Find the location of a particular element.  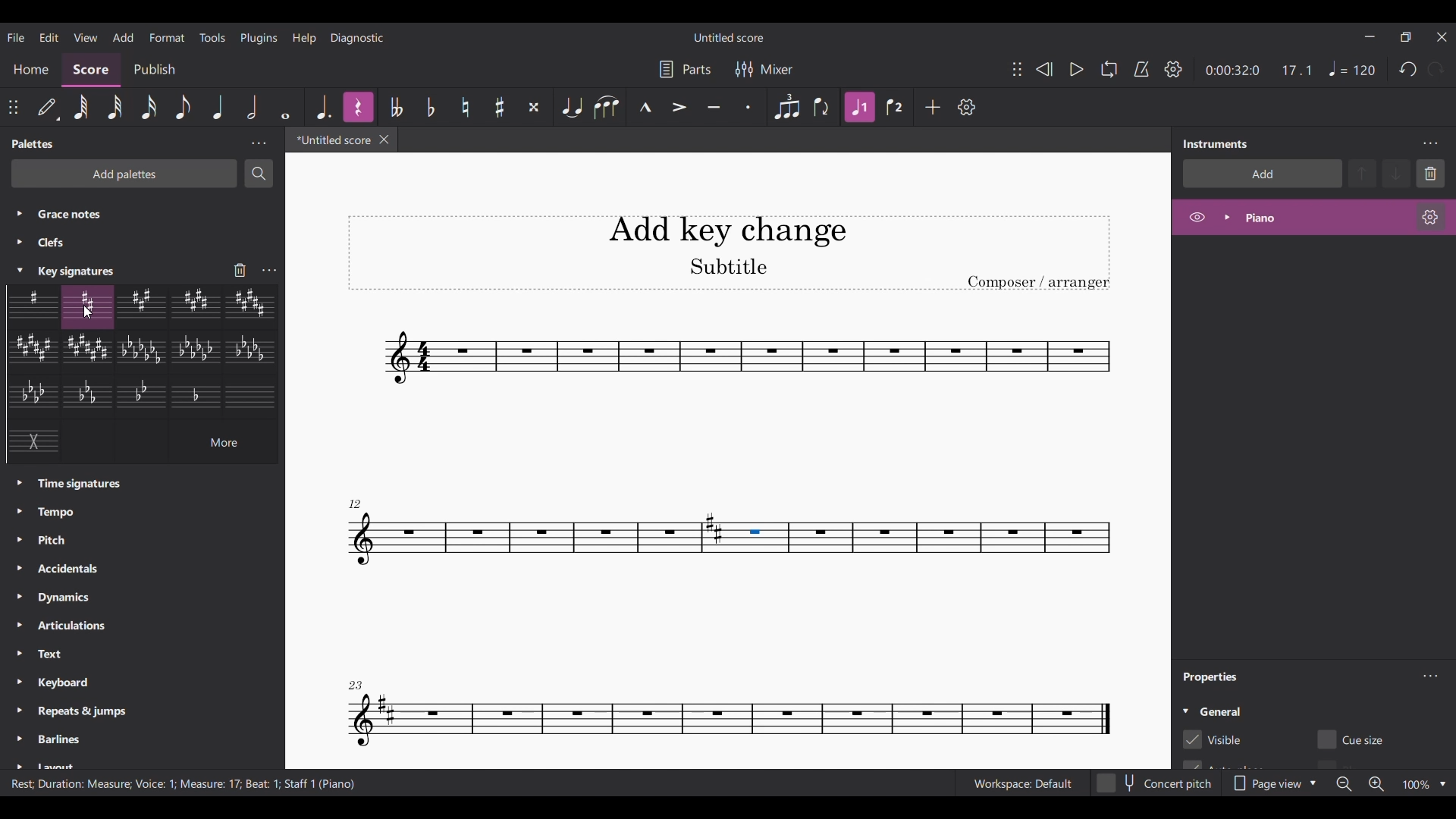

Toggle sharp is located at coordinates (500, 106).